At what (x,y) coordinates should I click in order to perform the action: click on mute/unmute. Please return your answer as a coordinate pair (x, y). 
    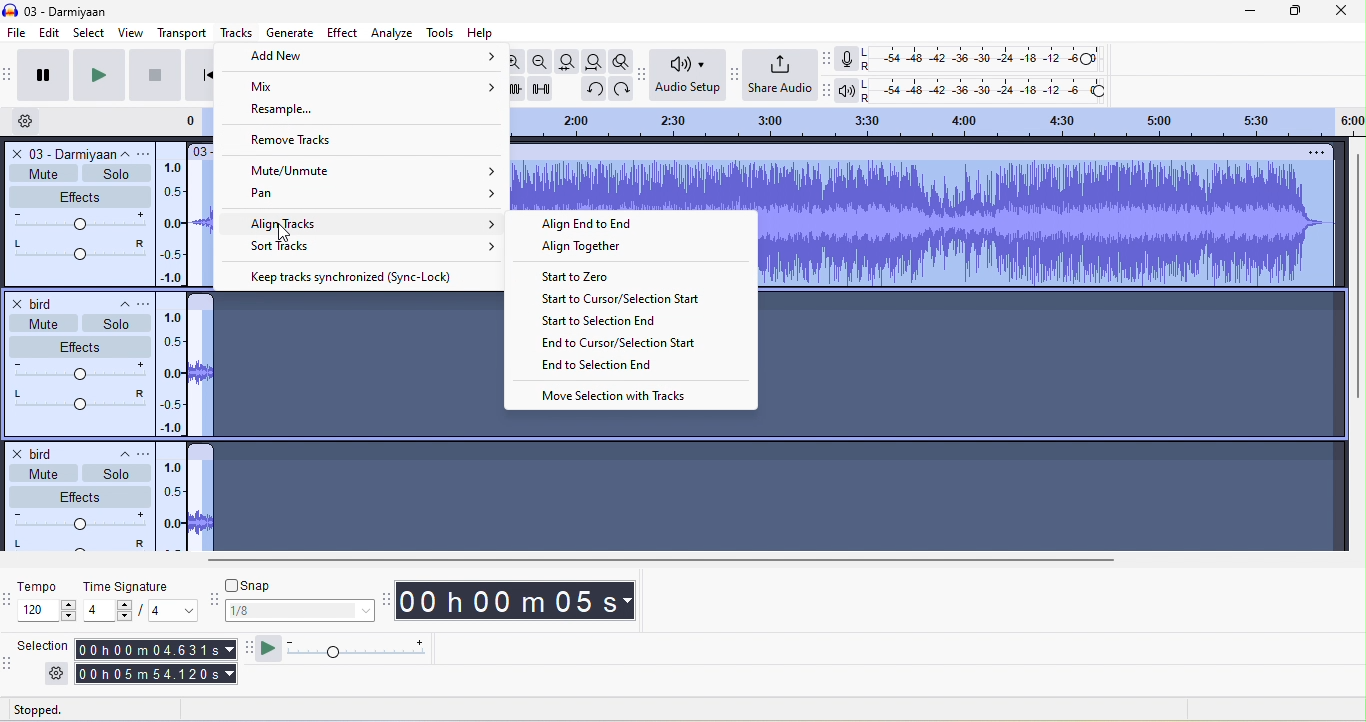
    Looking at the image, I should click on (377, 172).